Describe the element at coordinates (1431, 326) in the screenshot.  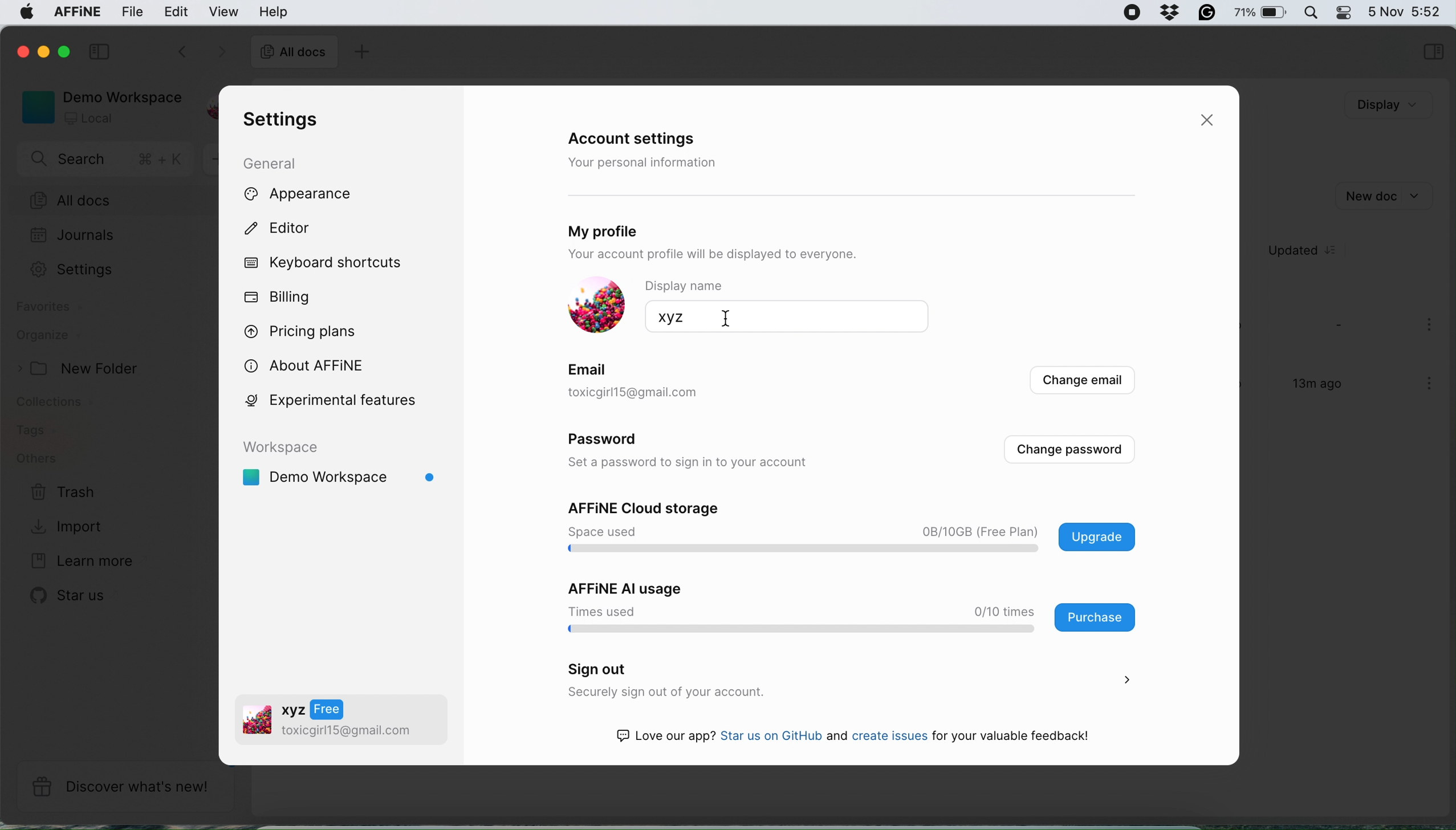
I see `more options` at that location.